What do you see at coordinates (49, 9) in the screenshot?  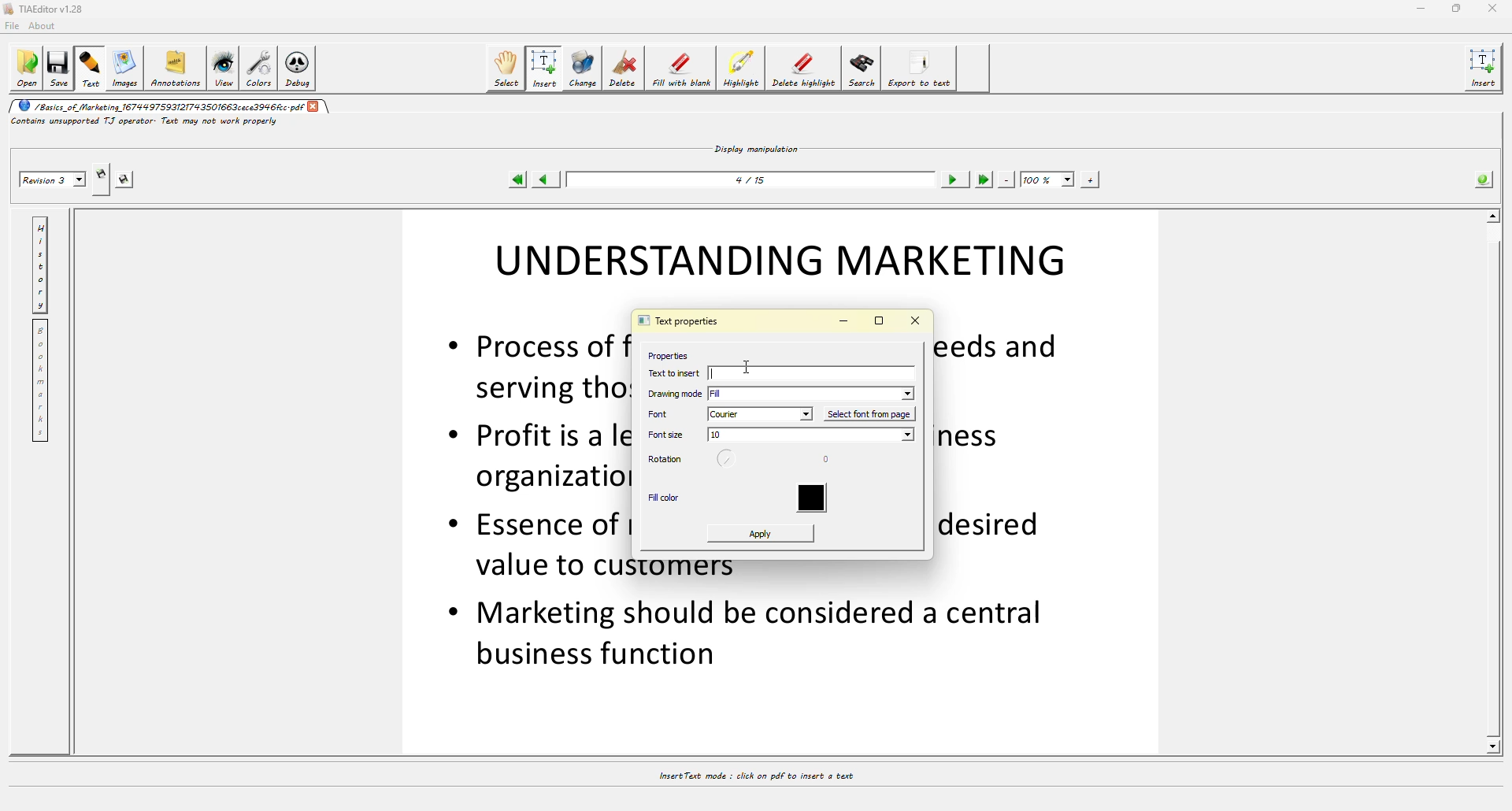 I see `TIAEditor v1.28` at bounding box center [49, 9].